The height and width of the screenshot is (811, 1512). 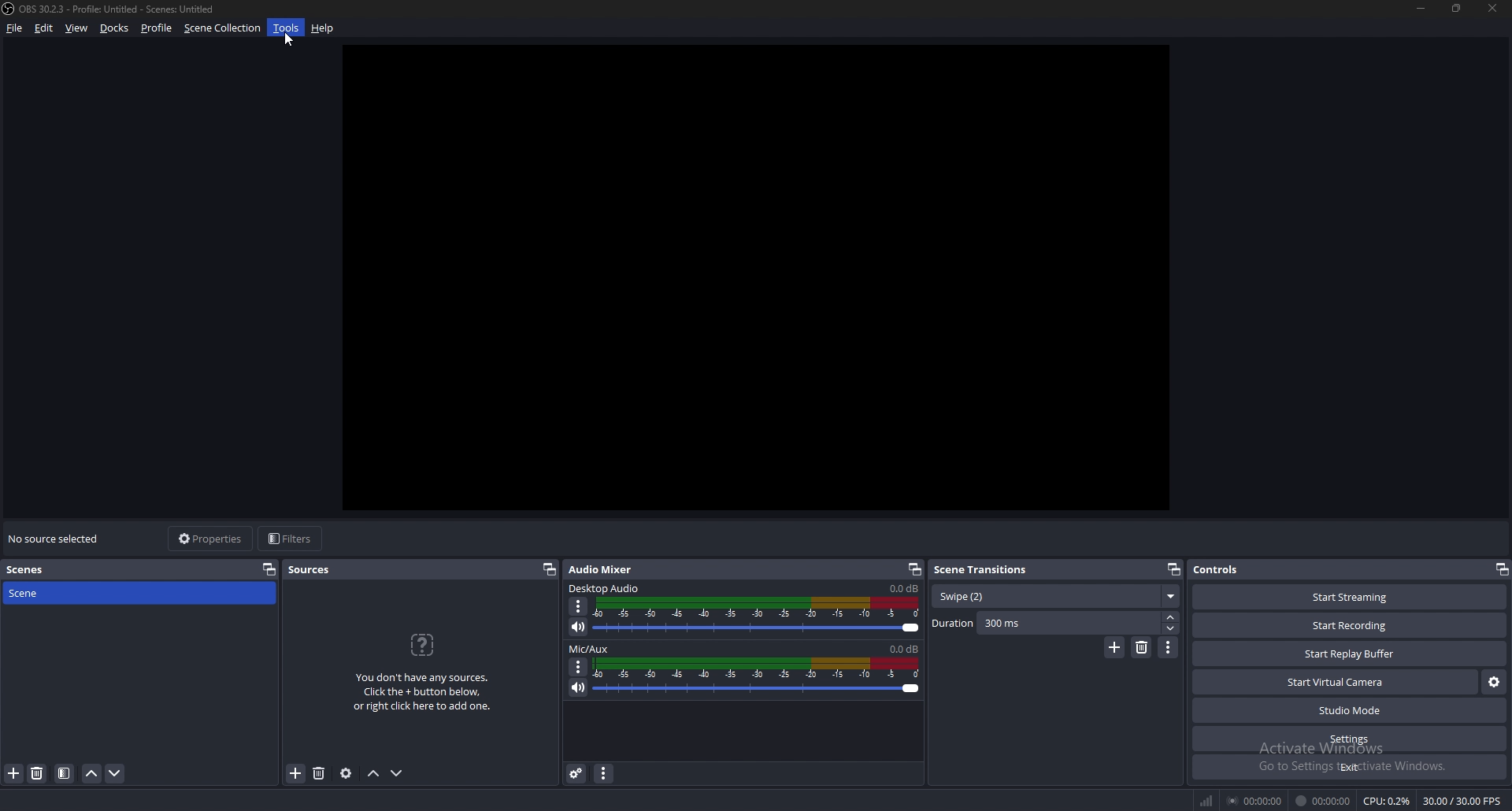 What do you see at coordinates (1337, 682) in the screenshot?
I see `start virtual camera` at bounding box center [1337, 682].